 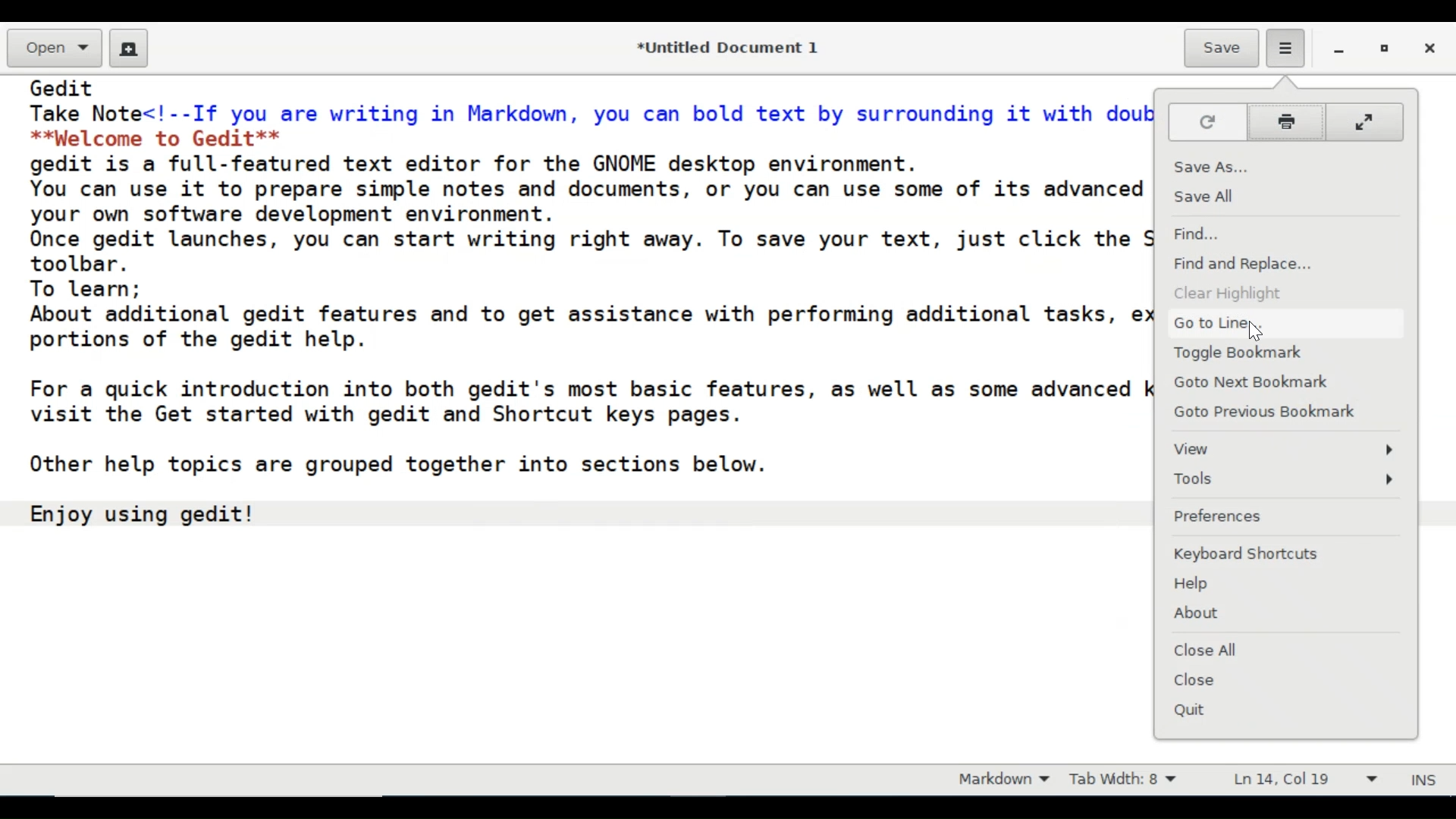 What do you see at coordinates (1190, 586) in the screenshot?
I see `Help` at bounding box center [1190, 586].